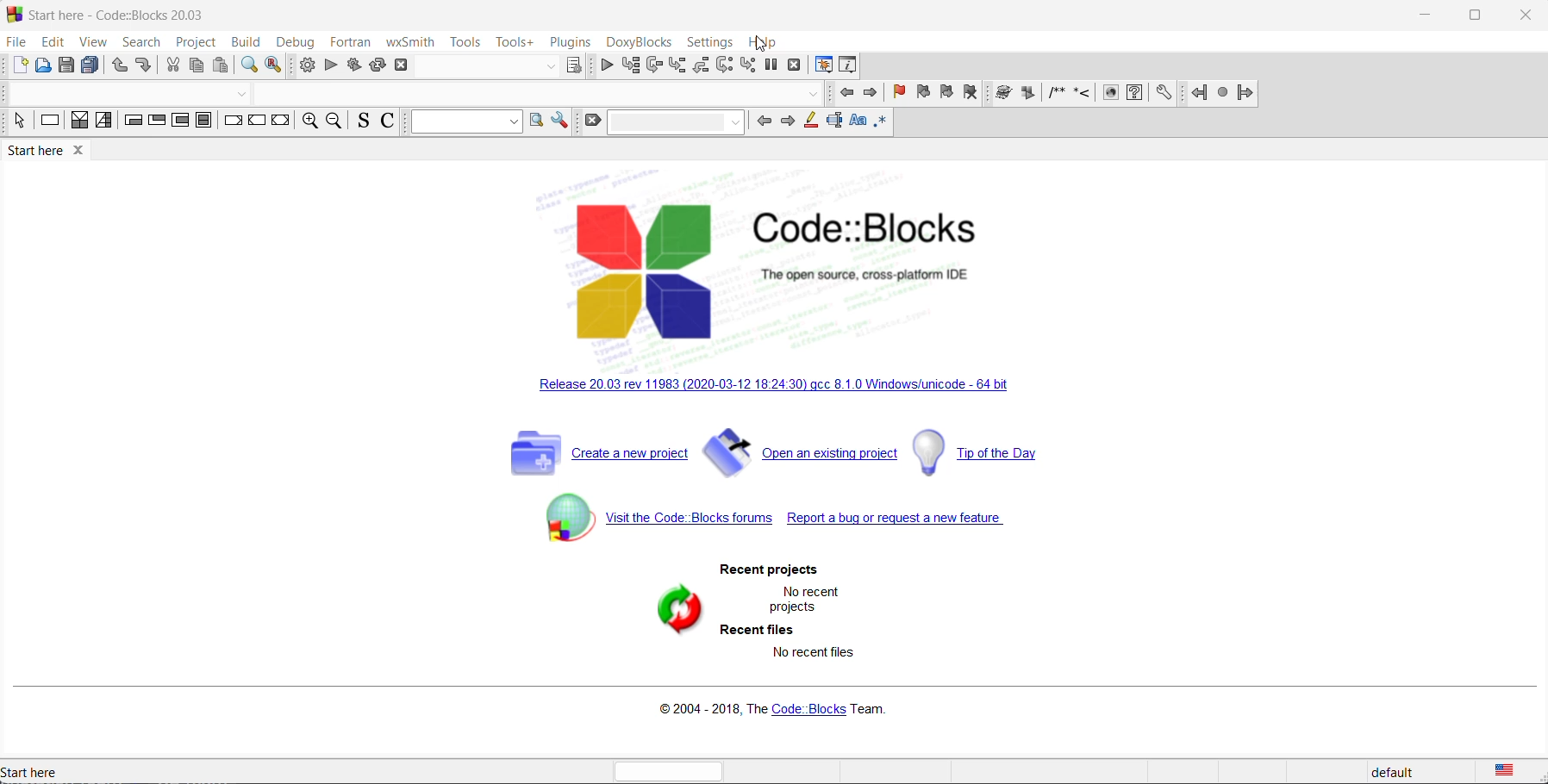  I want to click on step out, so click(701, 65).